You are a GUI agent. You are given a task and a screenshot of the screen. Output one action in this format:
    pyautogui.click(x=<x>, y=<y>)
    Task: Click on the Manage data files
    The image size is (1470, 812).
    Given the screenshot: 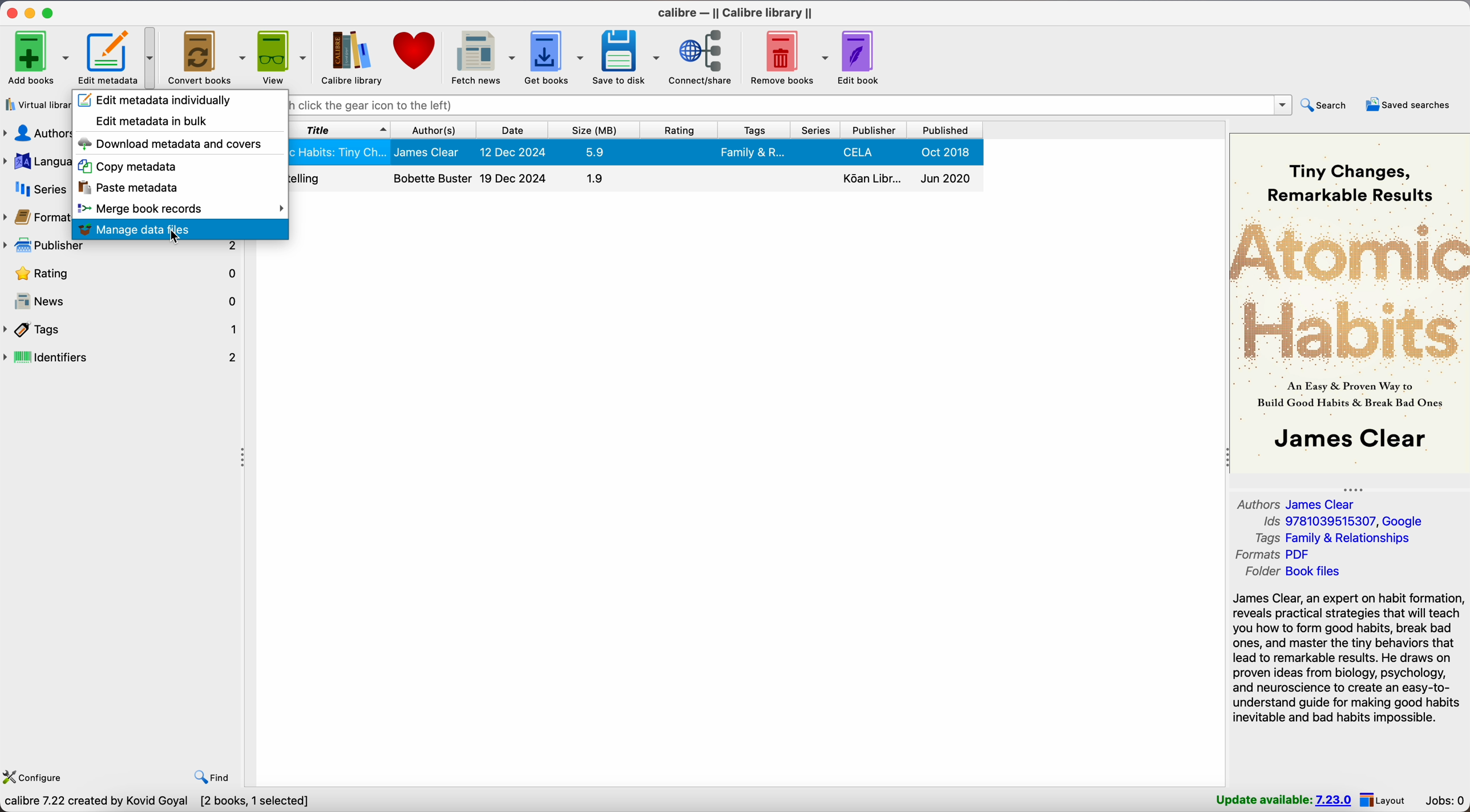 What is the action you would take?
    pyautogui.click(x=181, y=229)
    